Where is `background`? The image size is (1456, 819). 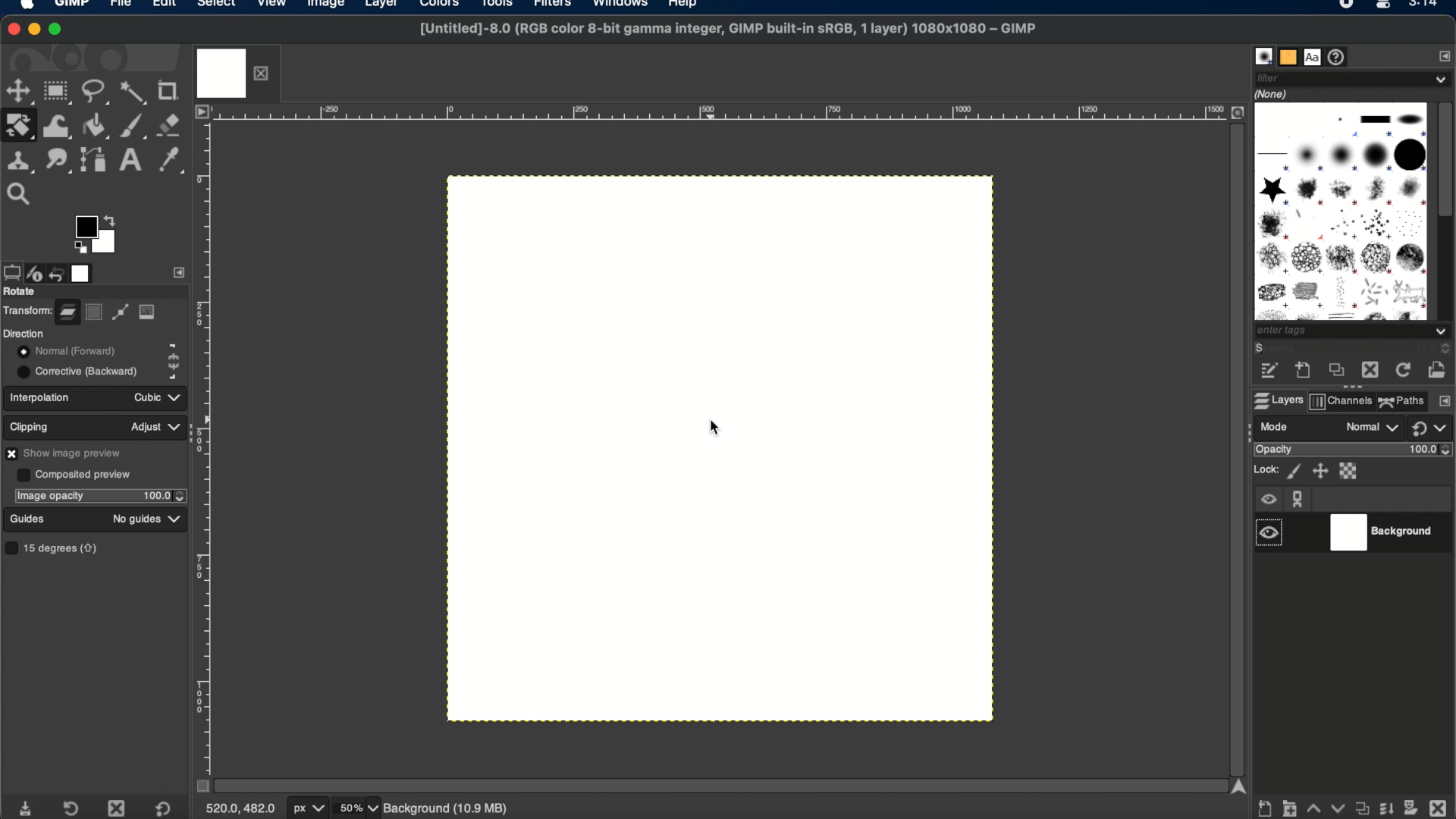
background is located at coordinates (458, 808).